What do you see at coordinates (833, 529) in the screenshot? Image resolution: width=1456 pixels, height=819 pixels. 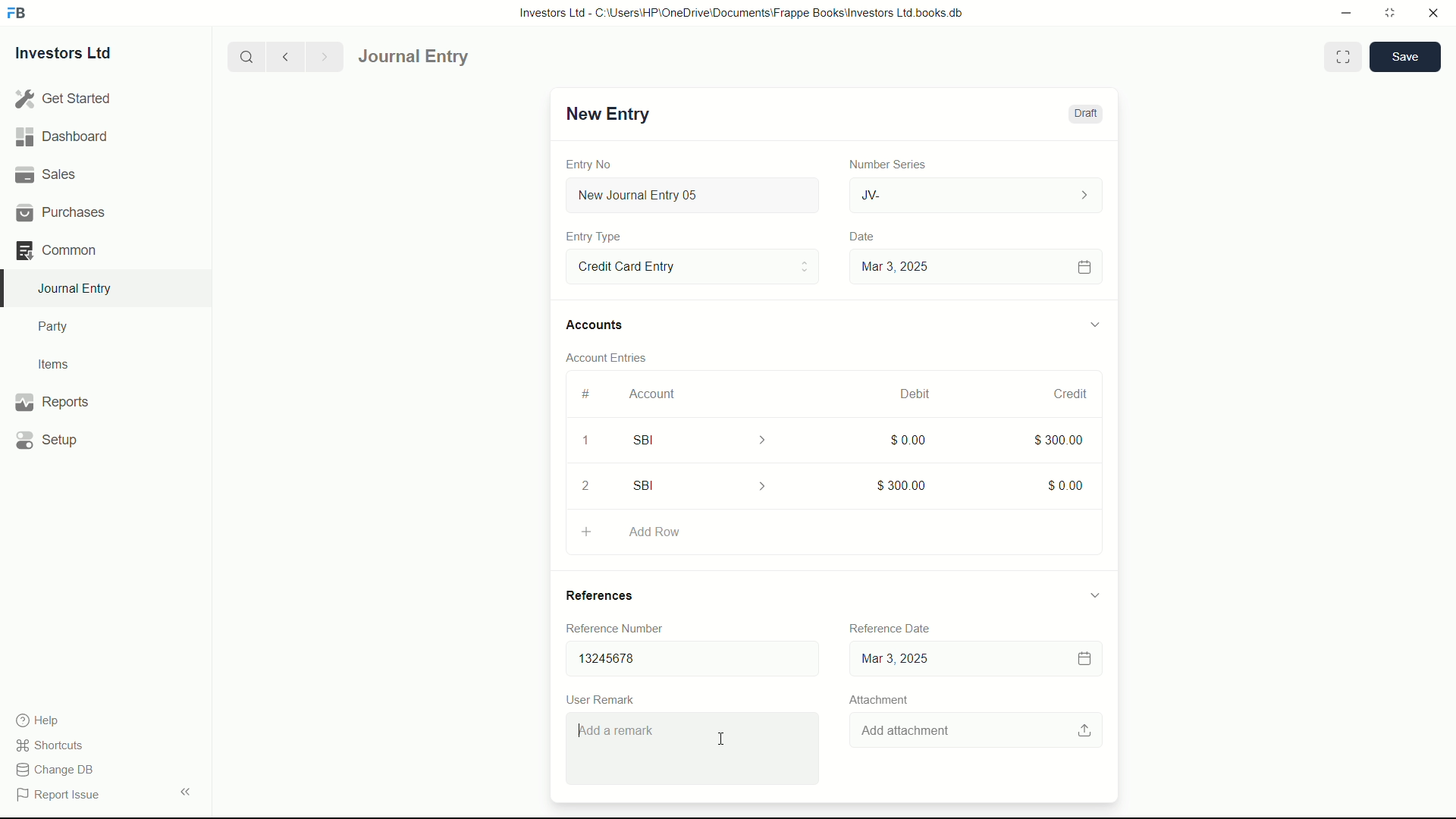 I see `Add Row` at bounding box center [833, 529].